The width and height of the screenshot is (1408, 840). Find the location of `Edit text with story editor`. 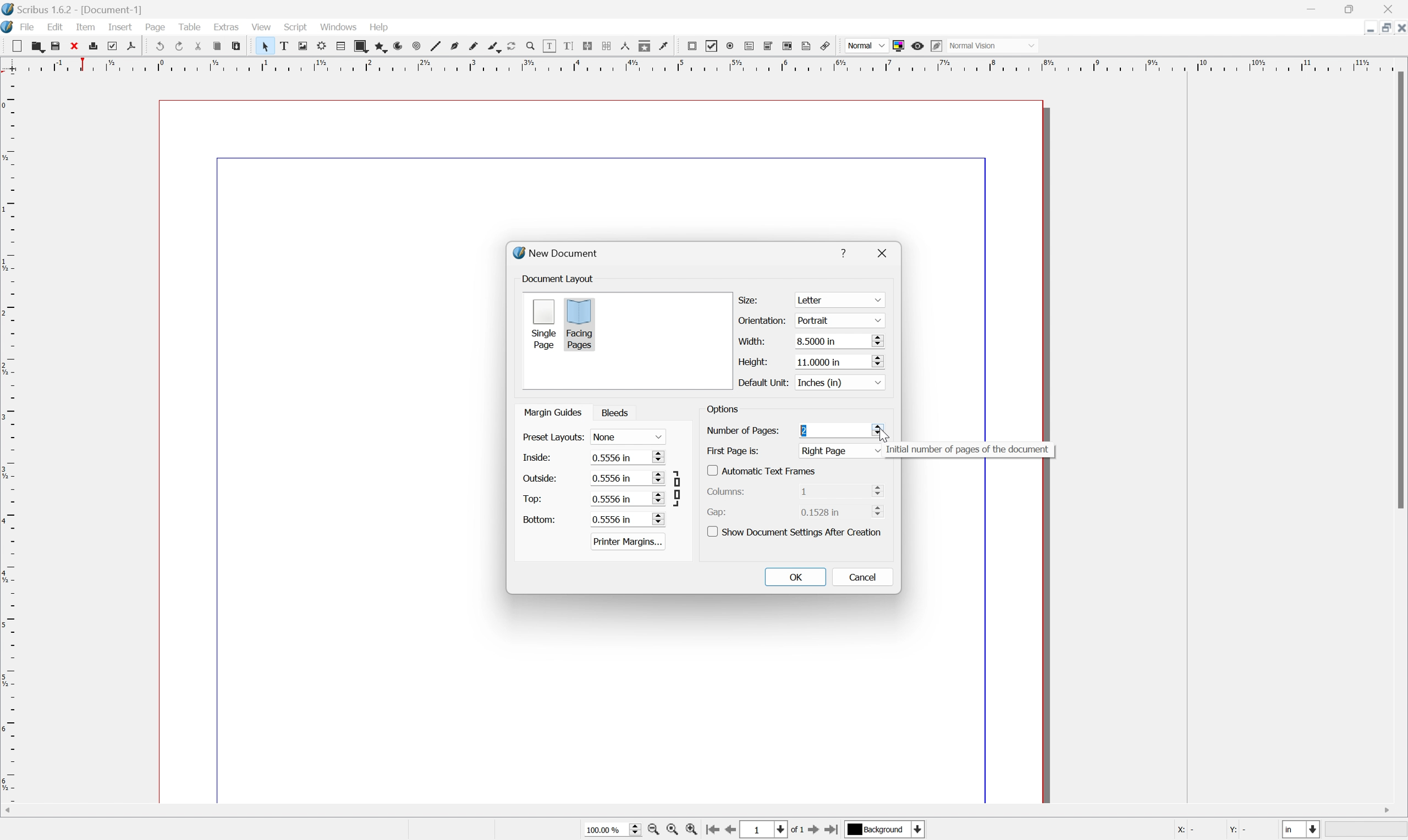

Edit text with story editor is located at coordinates (570, 46).